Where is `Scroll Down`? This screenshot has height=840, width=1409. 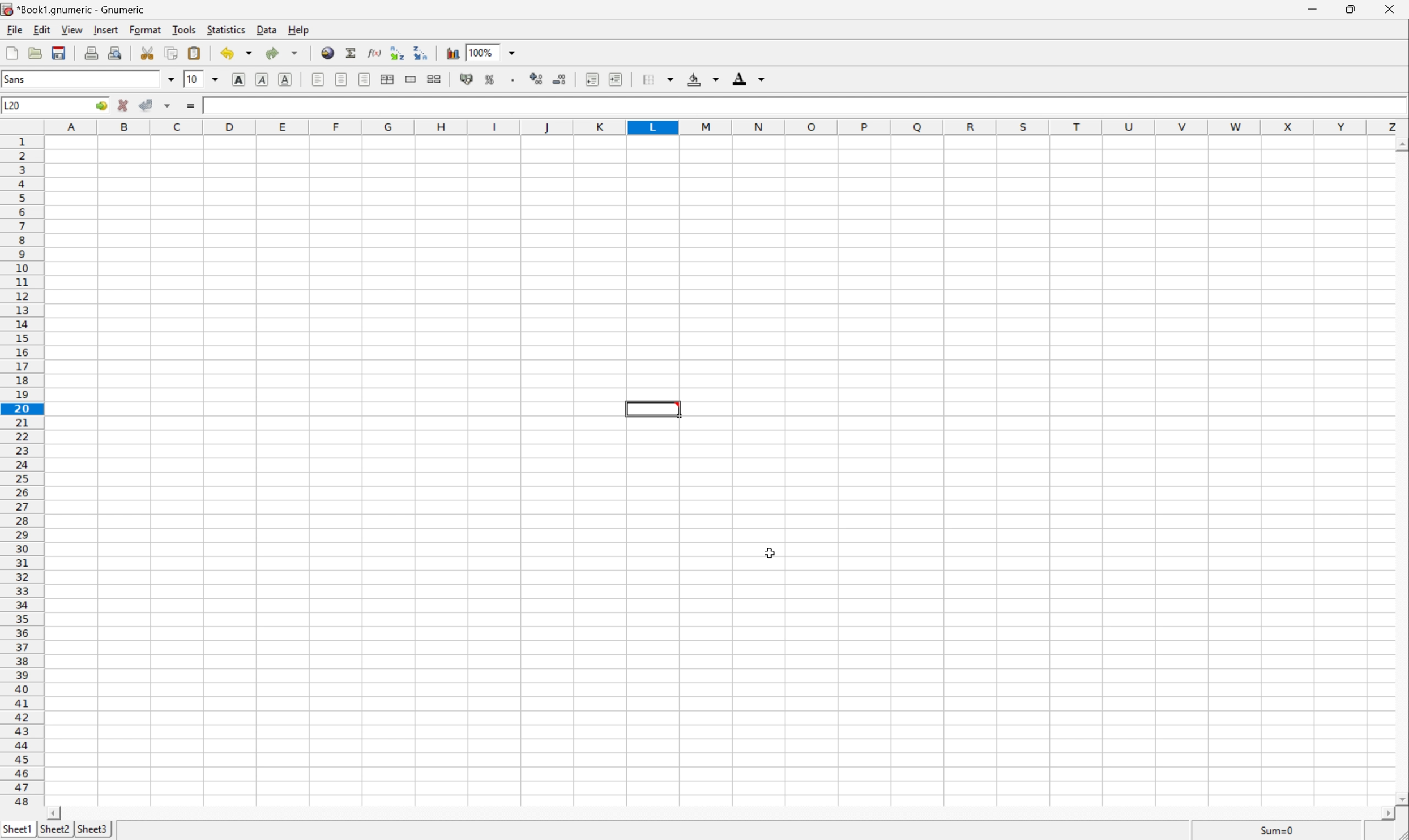
Scroll Down is located at coordinates (1399, 796).